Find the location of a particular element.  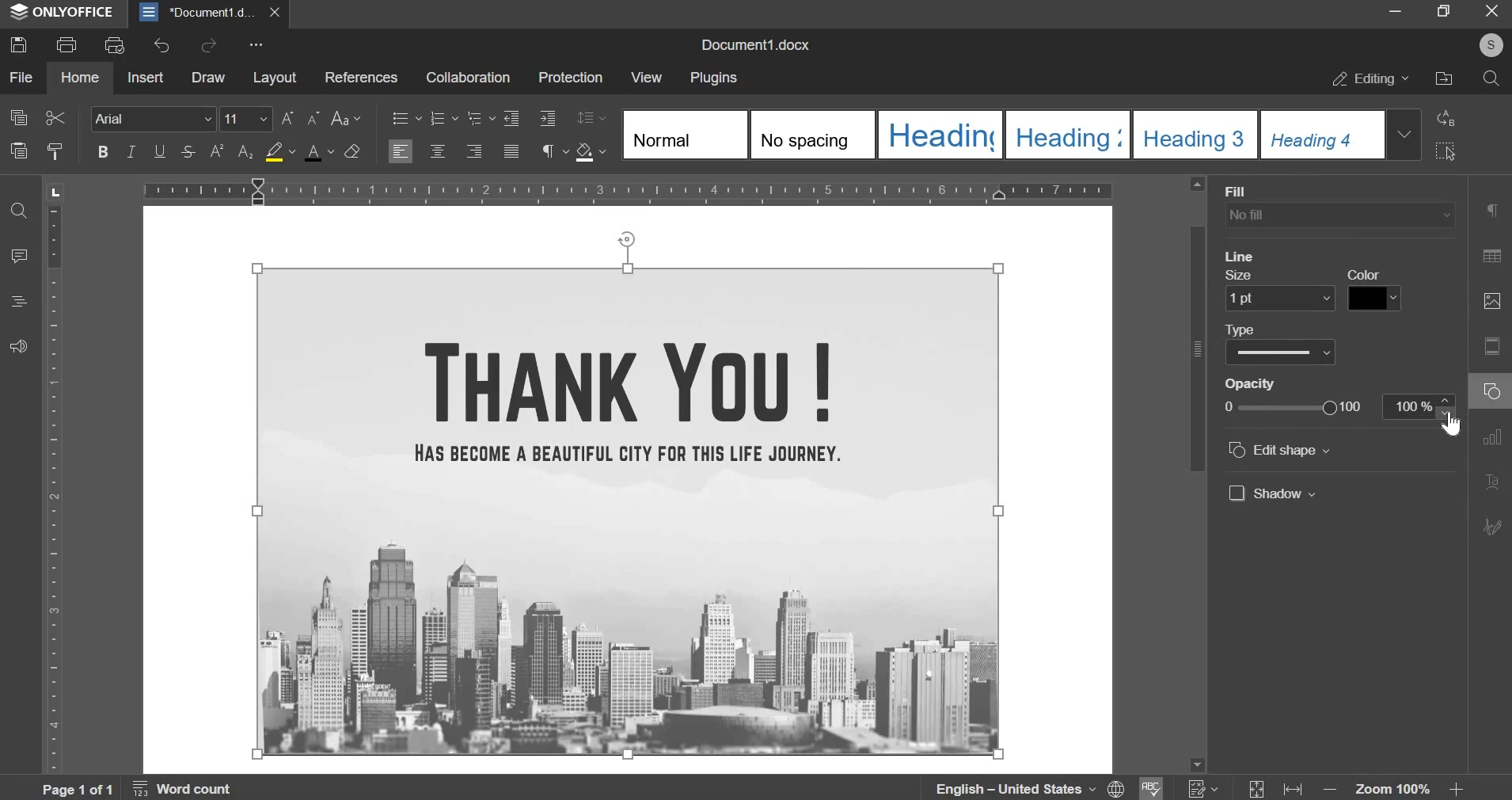

ruler is located at coordinates (629, 189).